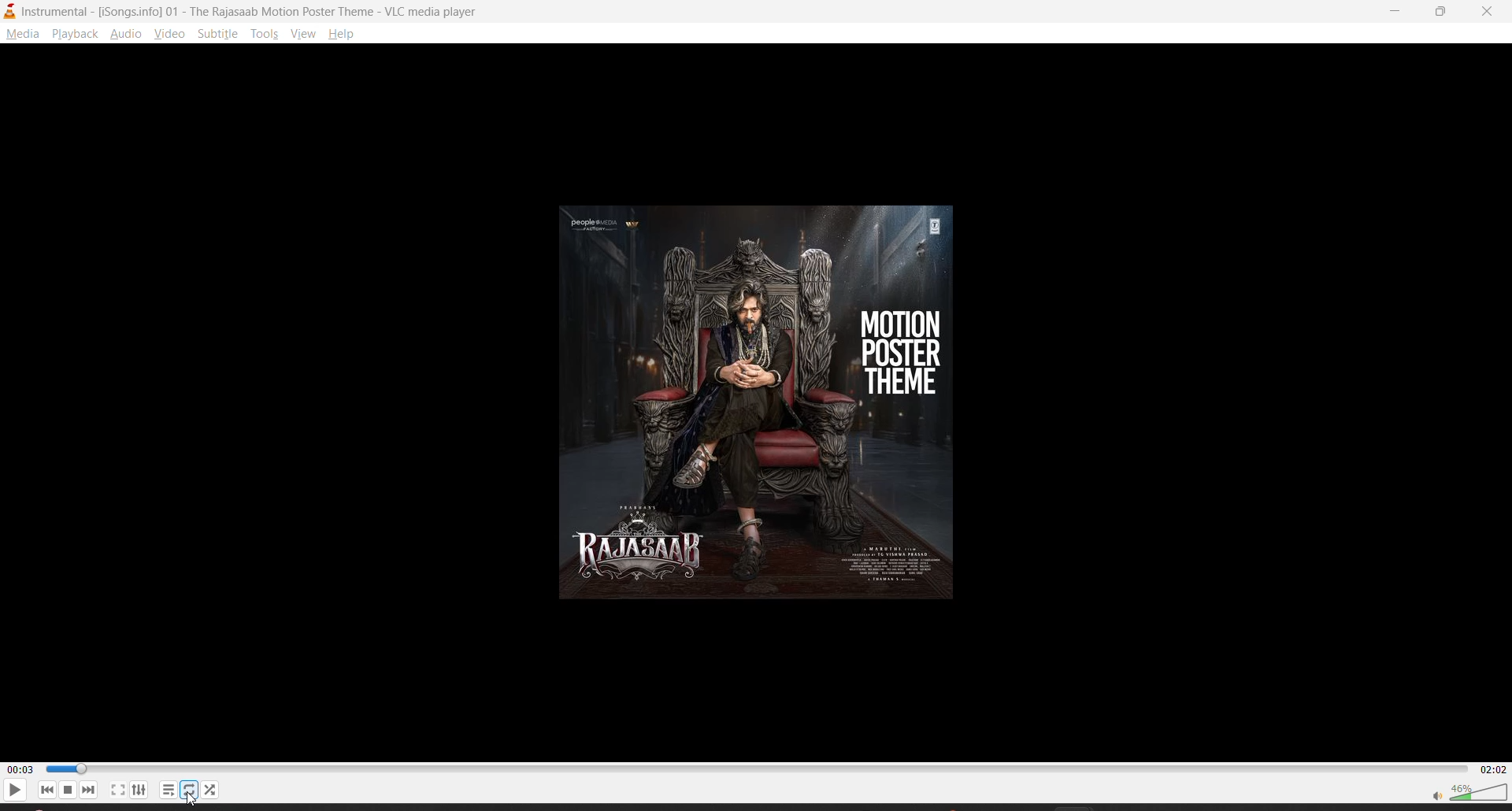 The image size is (1512, 811). Describe the element at coordinates (758, 768) in the screenshot. I see `Progress` at that location.